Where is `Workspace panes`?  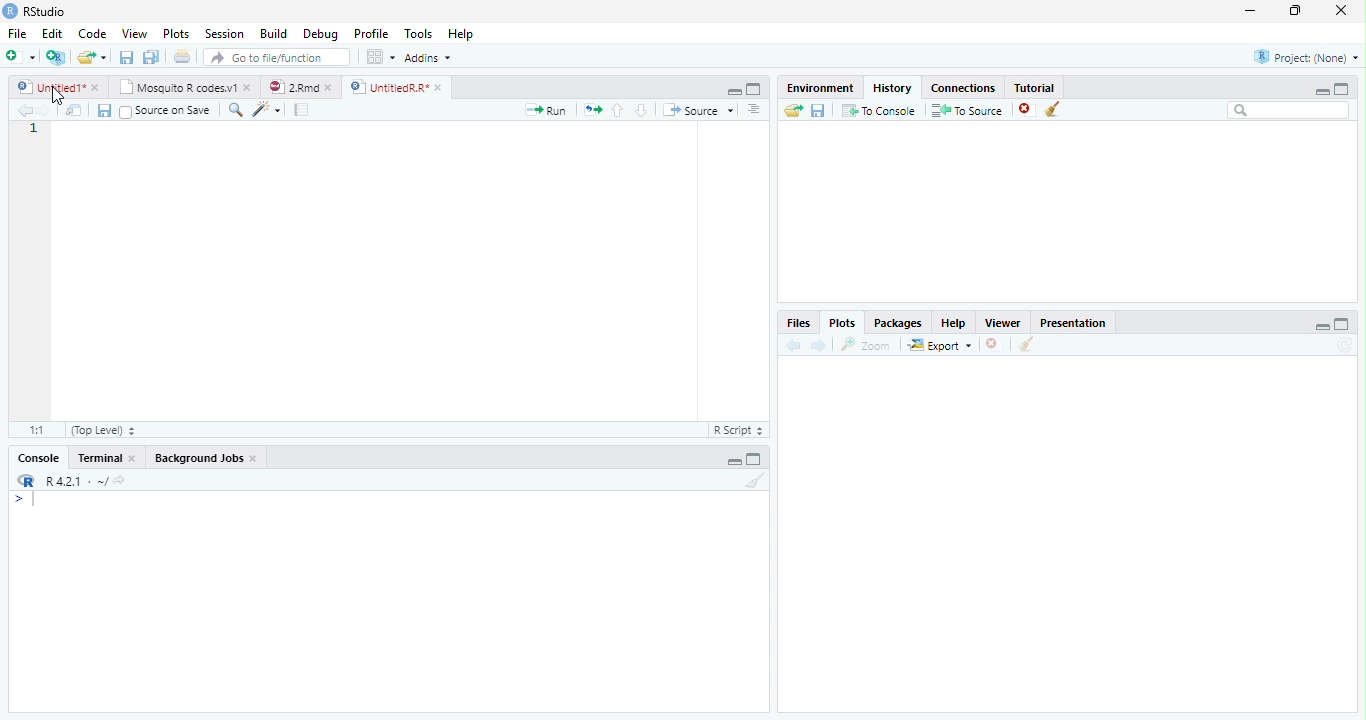
Workspace panes is located at coordinates (379, 56).